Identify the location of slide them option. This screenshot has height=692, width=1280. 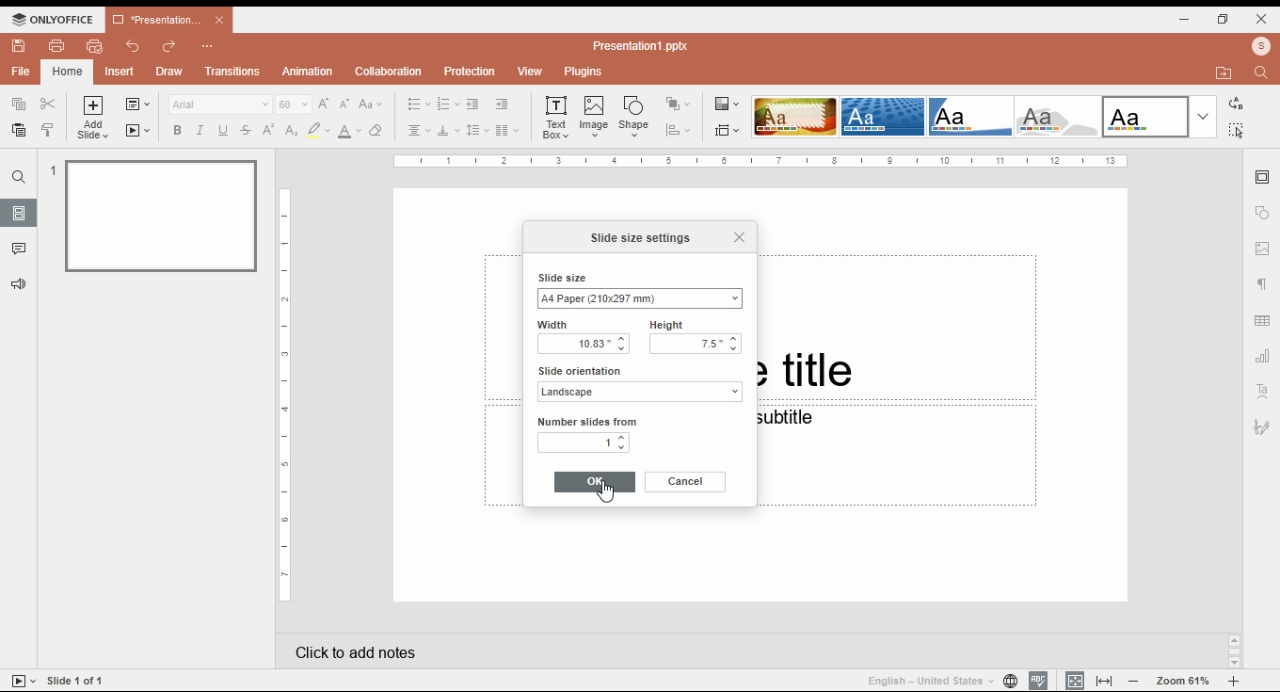
(883, 116).